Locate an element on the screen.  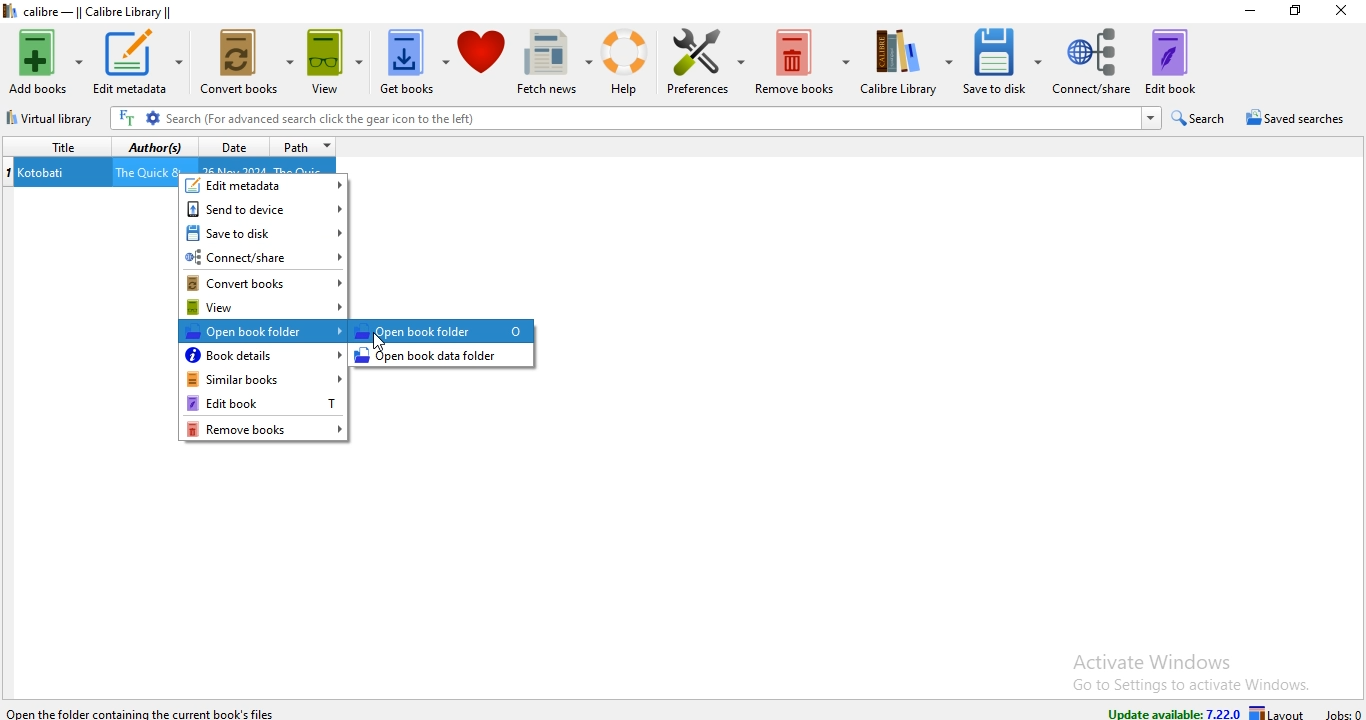
jobs: 0 is located at coordinates (1343, 711).